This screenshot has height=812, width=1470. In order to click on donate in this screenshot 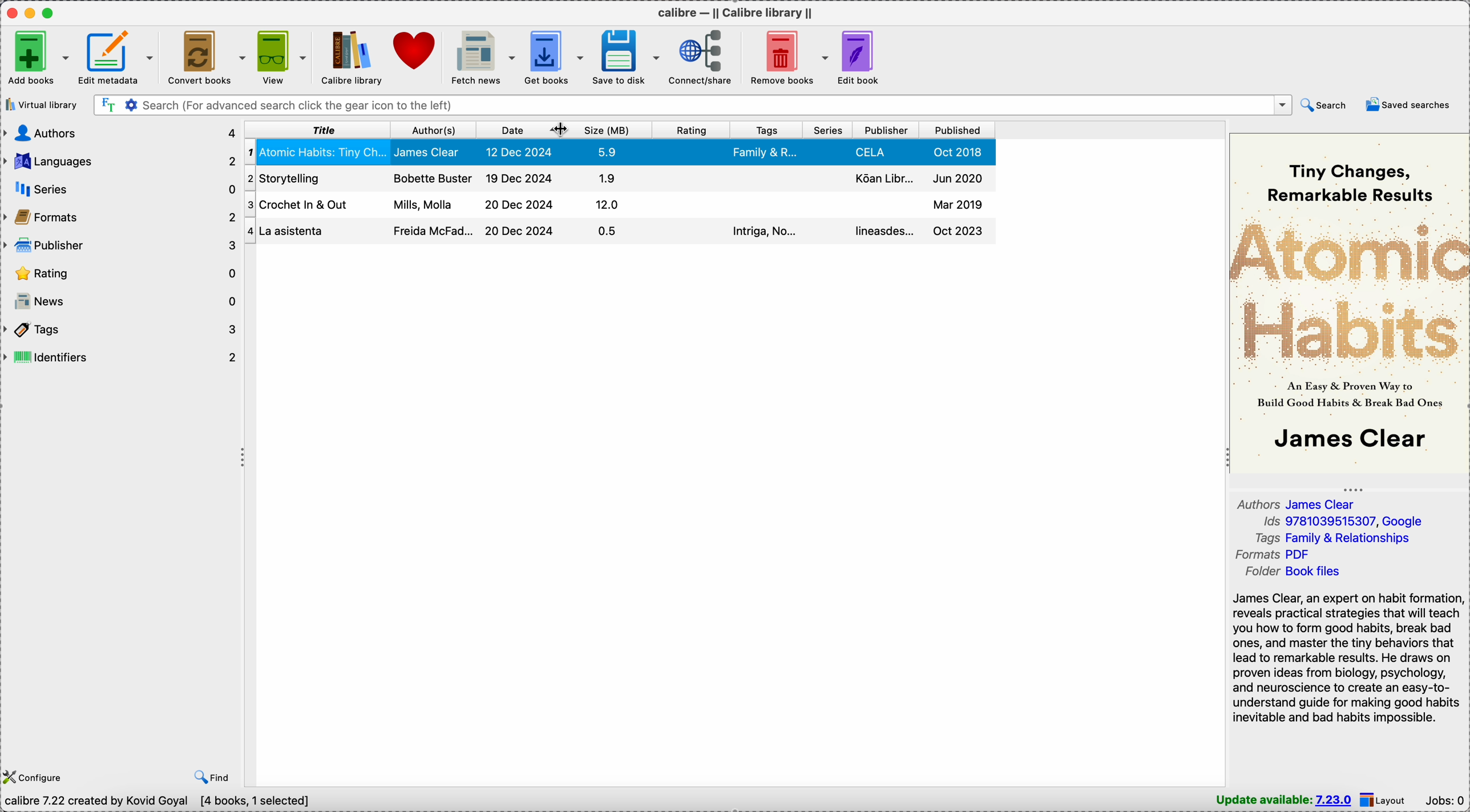, I will do `click(415, 52)`.